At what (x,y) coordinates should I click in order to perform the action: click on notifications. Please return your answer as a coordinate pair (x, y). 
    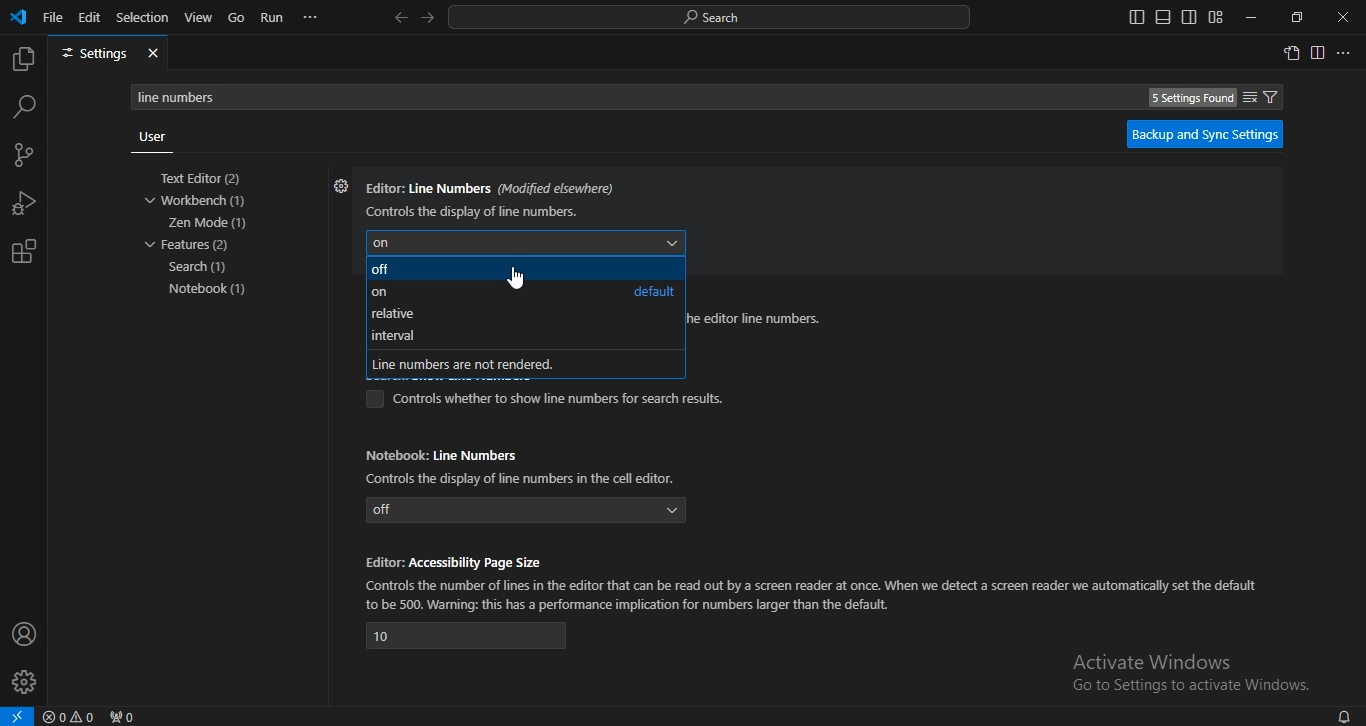
    Looking at the image, I should click on (1343, 715).